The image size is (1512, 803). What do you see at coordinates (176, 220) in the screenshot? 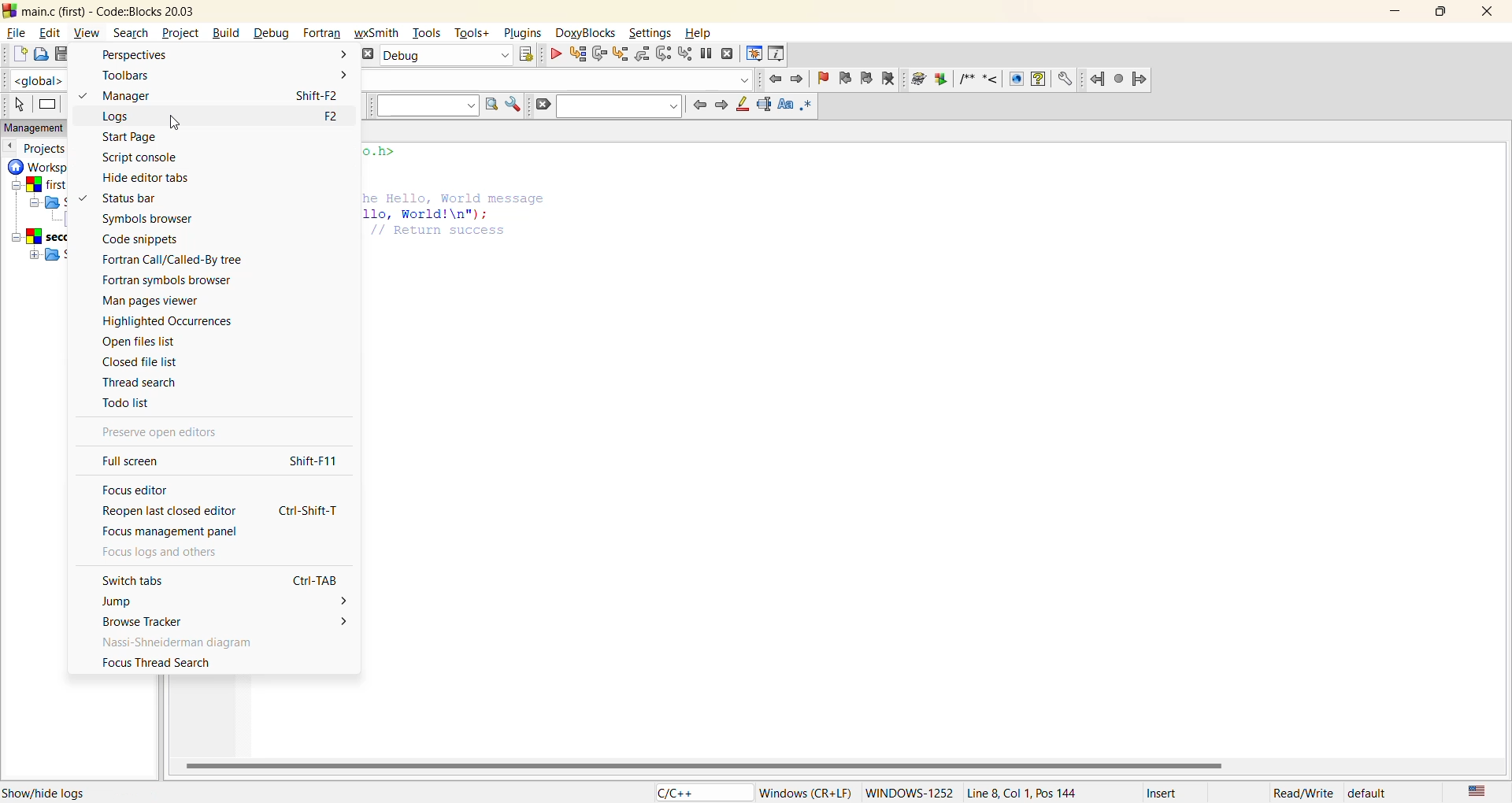
I see `symbols browser` at bounding box center [176, 220].